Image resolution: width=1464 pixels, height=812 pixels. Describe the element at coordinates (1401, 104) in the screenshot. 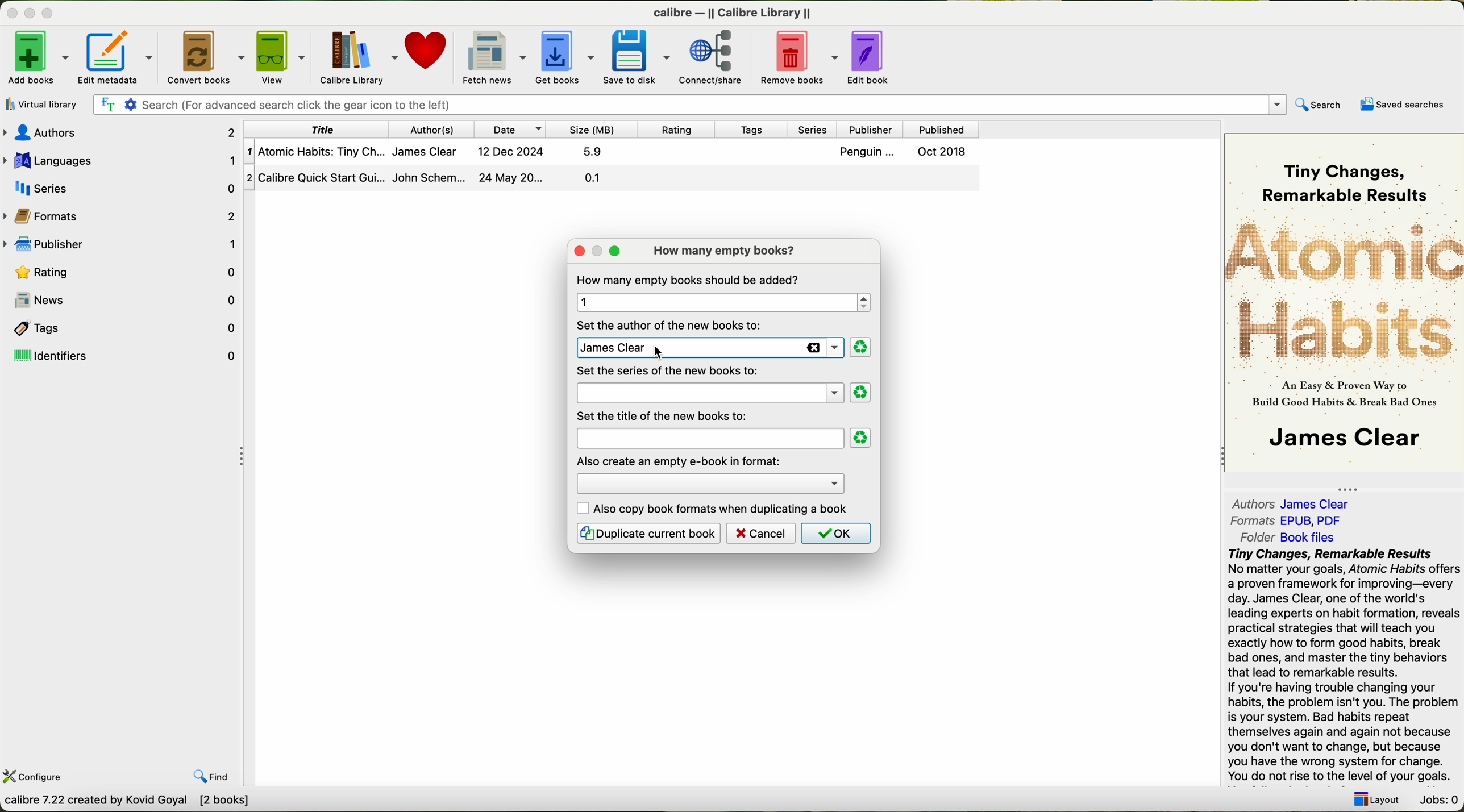

I see `saved searches` at that location.